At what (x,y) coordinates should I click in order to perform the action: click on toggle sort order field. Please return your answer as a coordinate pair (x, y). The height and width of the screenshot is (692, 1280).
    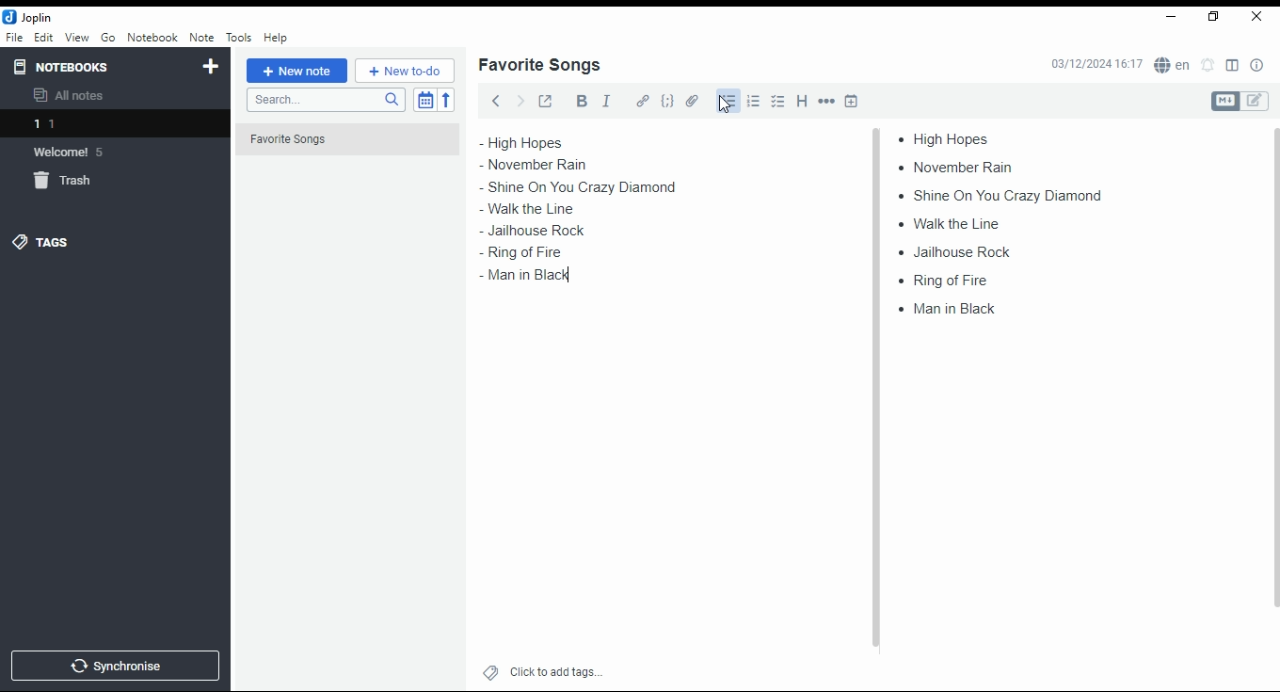
    Looking at the image, I should click on (425, 100).